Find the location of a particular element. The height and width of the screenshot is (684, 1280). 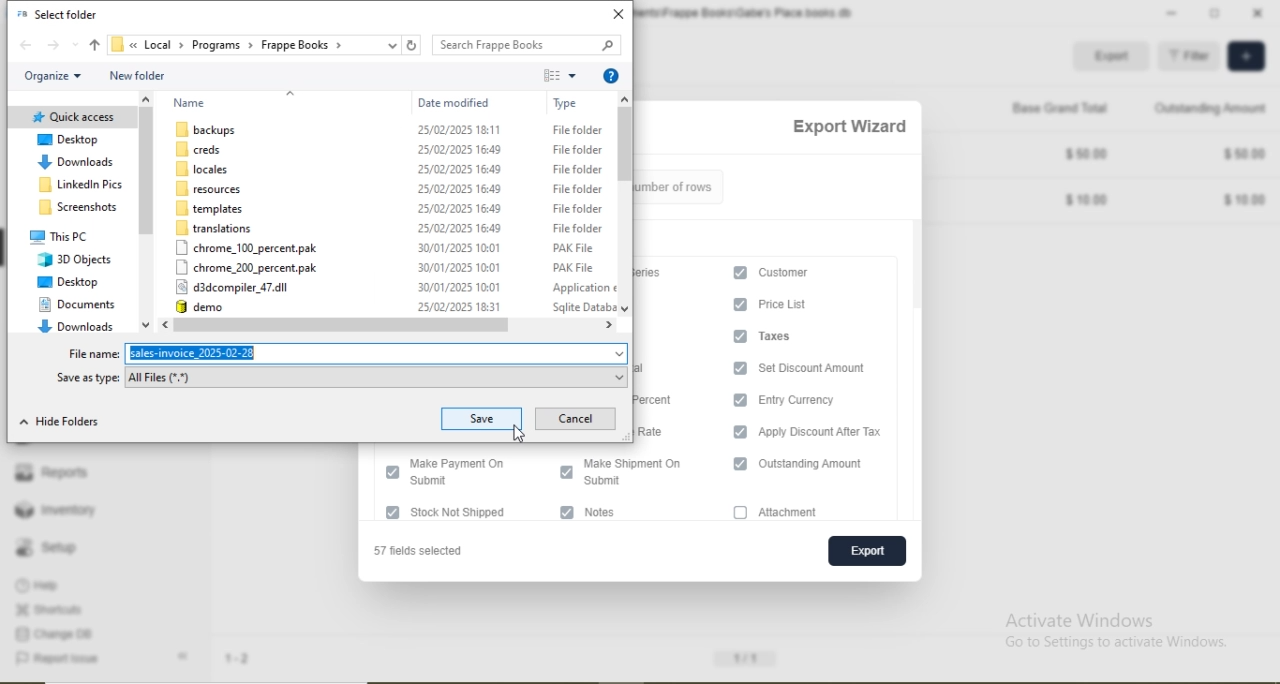

PAK File is located at coordinates (574, 249).